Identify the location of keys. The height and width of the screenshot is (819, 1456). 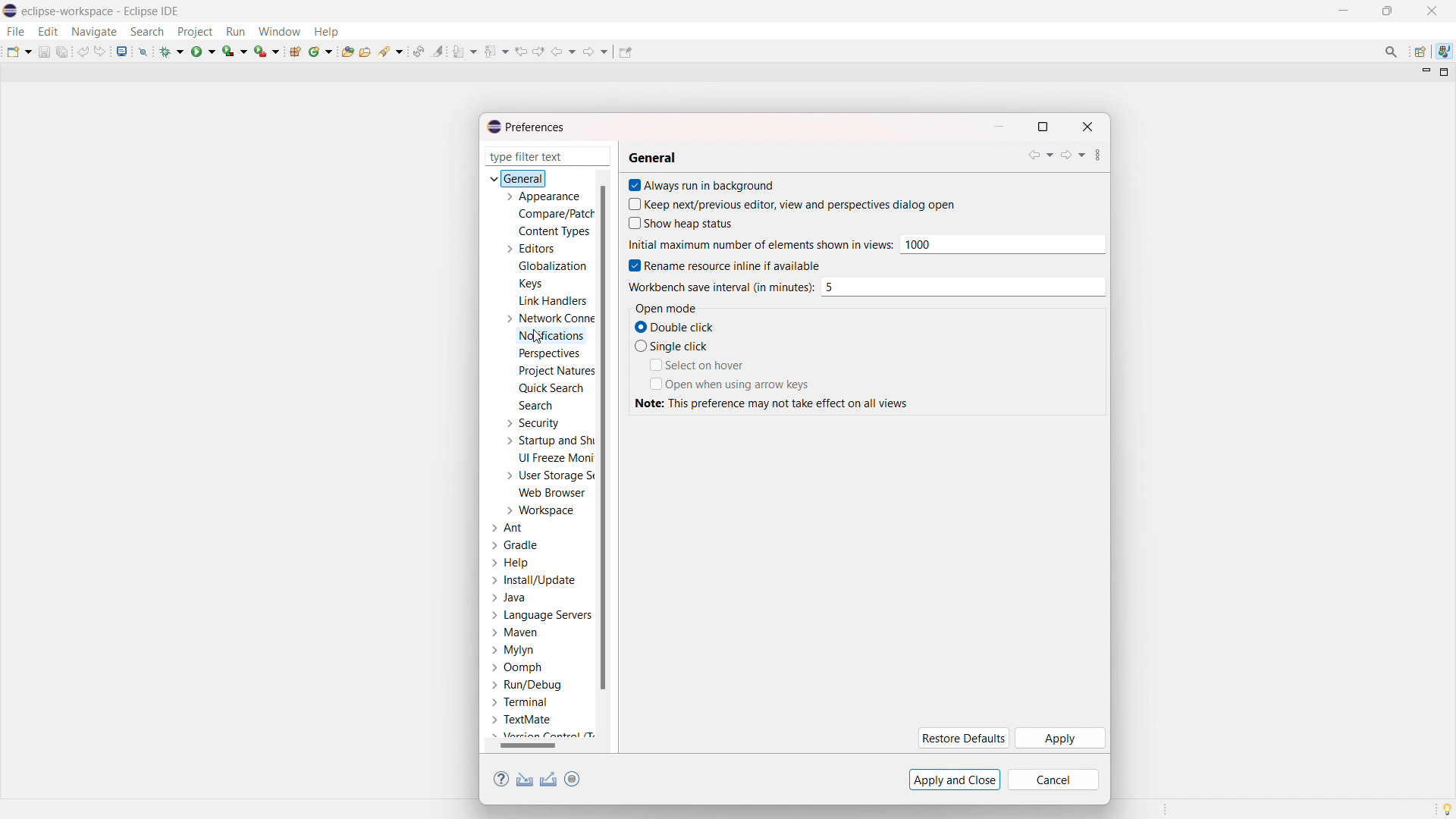
(530, 283).